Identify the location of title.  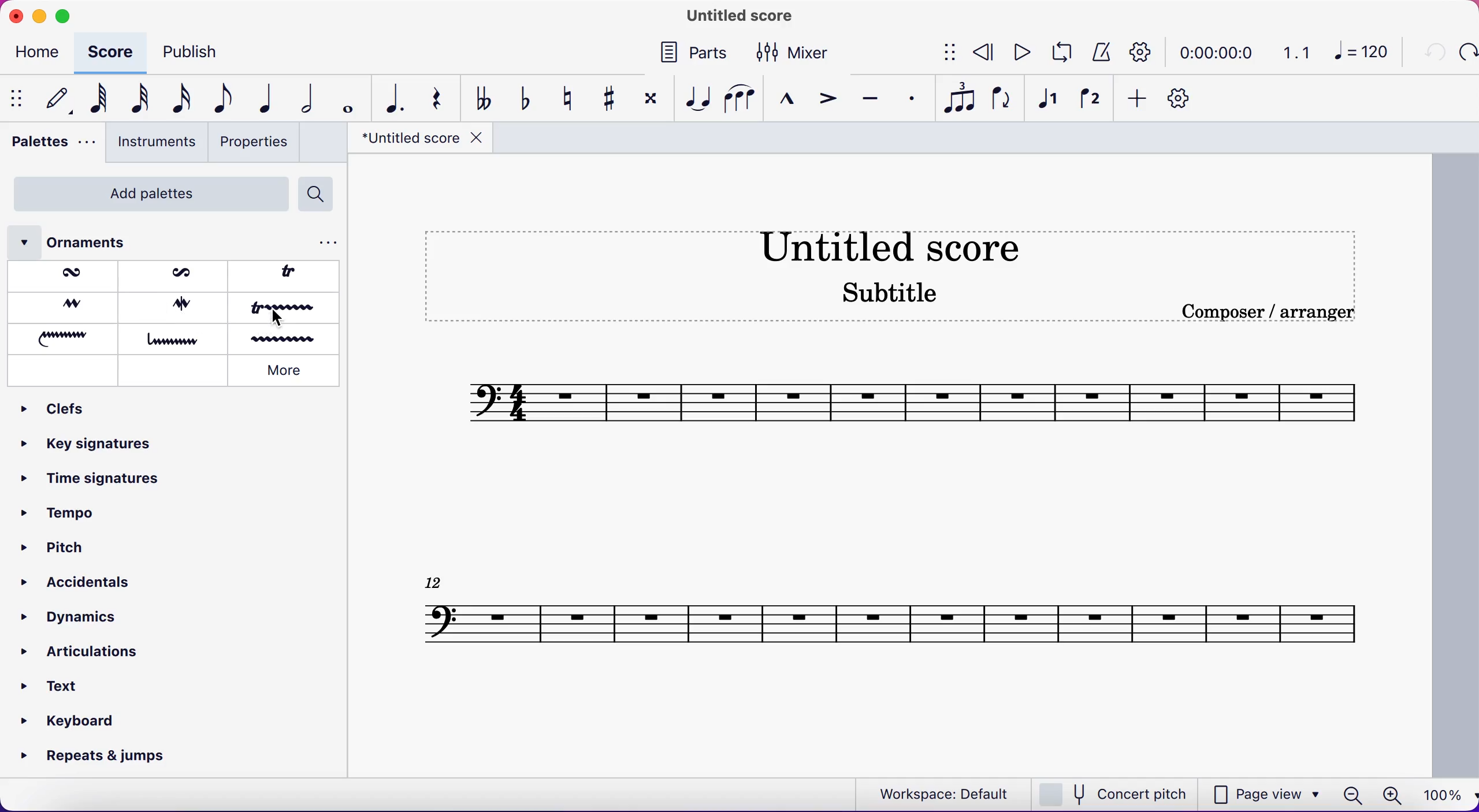
(418, 141).